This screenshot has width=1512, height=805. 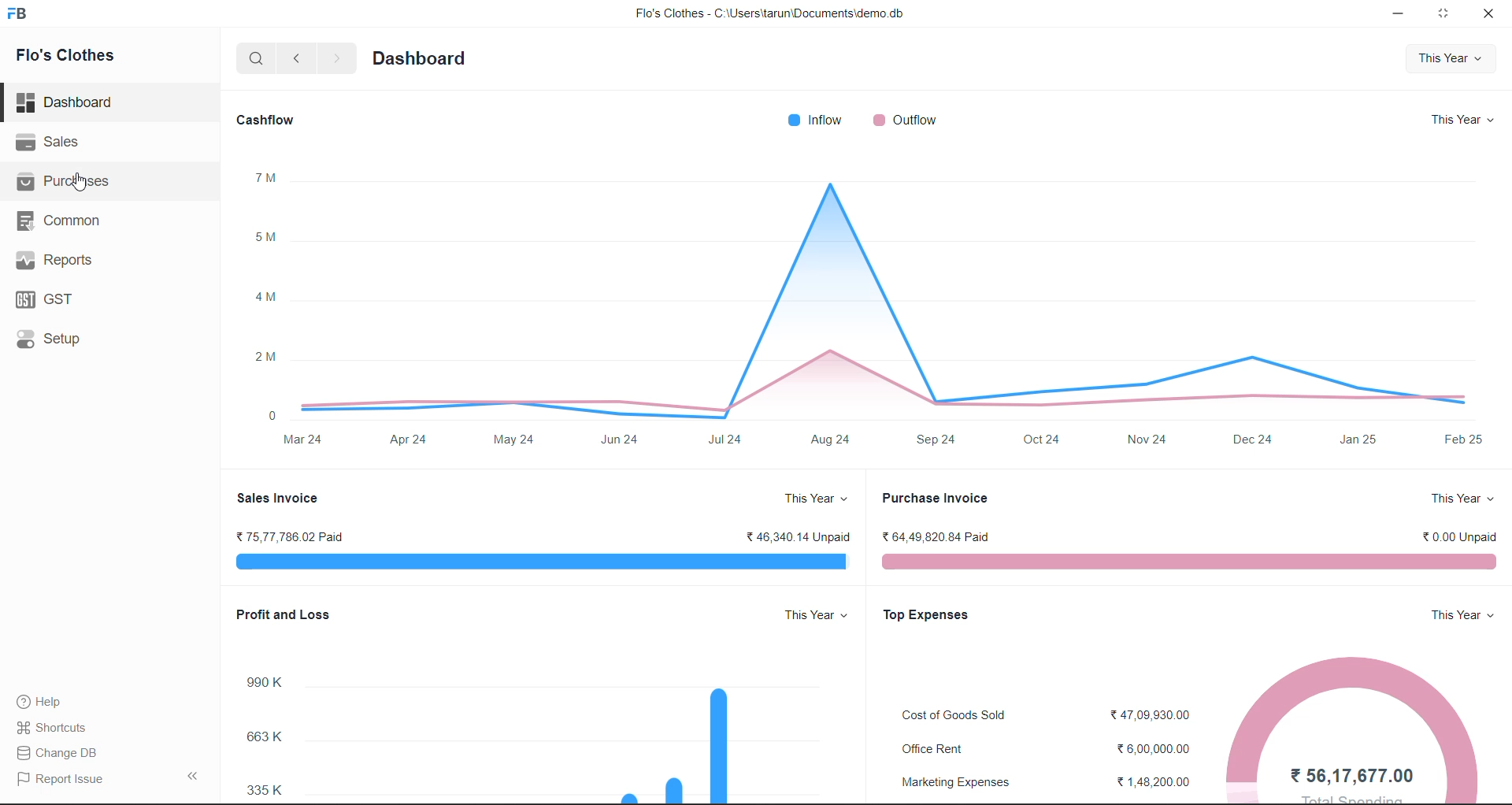 What do you see at coordinates (517, 440) in the screenshot?
I see `May 24` at bounding box center [517, 440].